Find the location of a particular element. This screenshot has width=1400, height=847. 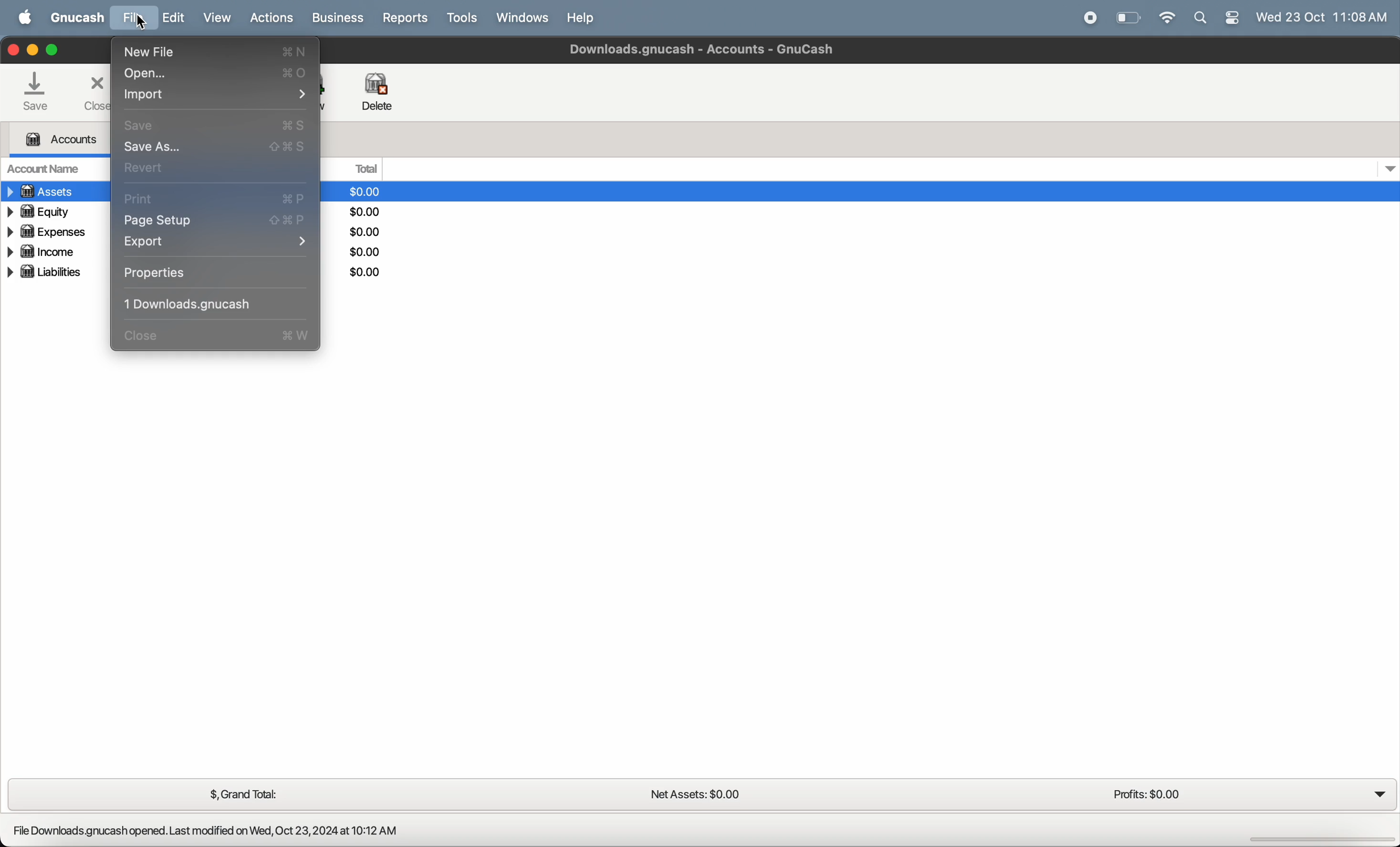

apple widgets is located at coordinates (1216, 15).